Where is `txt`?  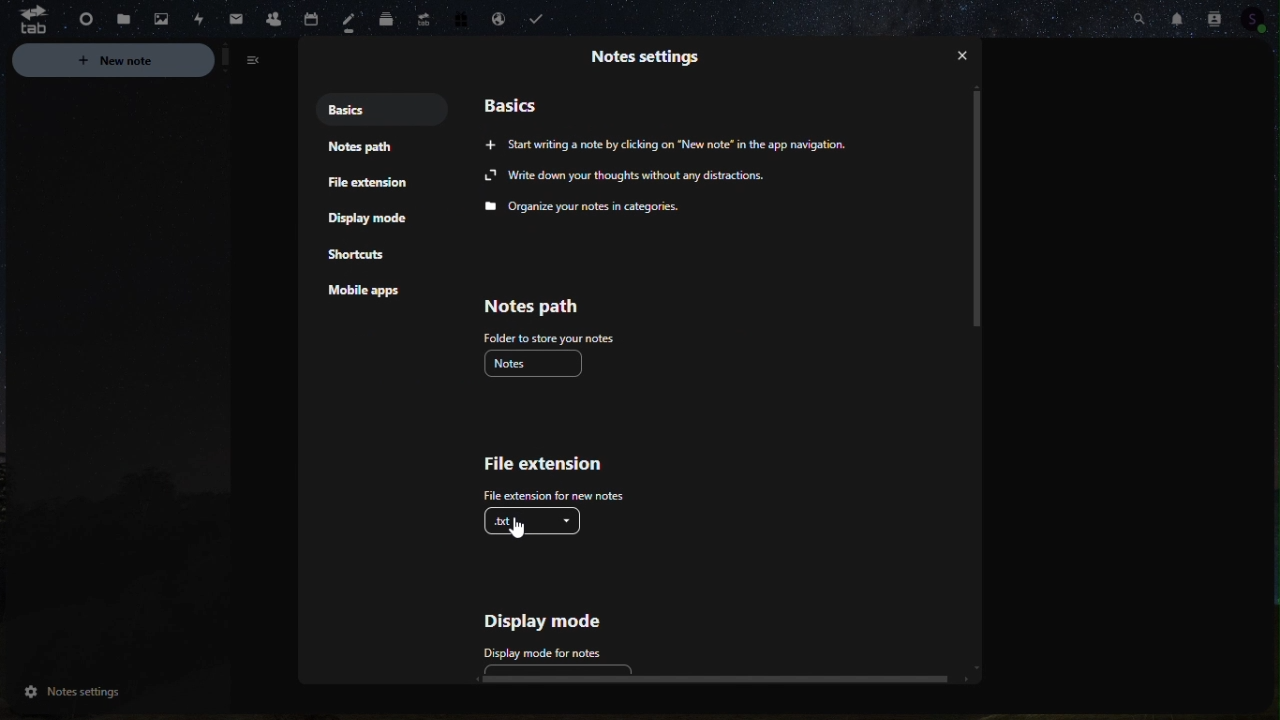 txt is located at coordinates (533, 520).